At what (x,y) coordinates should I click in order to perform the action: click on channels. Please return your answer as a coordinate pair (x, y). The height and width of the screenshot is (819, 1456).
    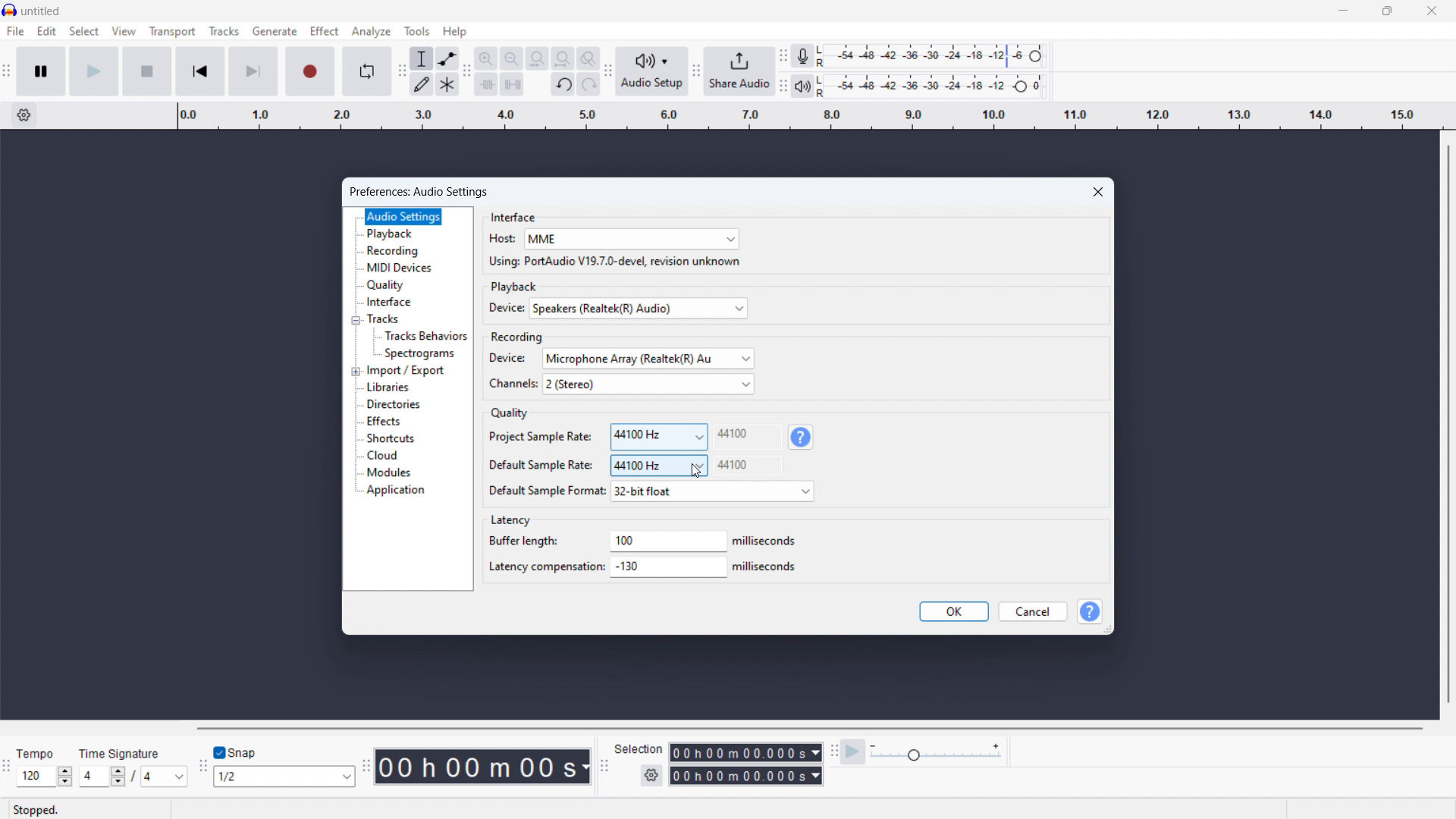
    Looking at the image, I should click on (648, 384).